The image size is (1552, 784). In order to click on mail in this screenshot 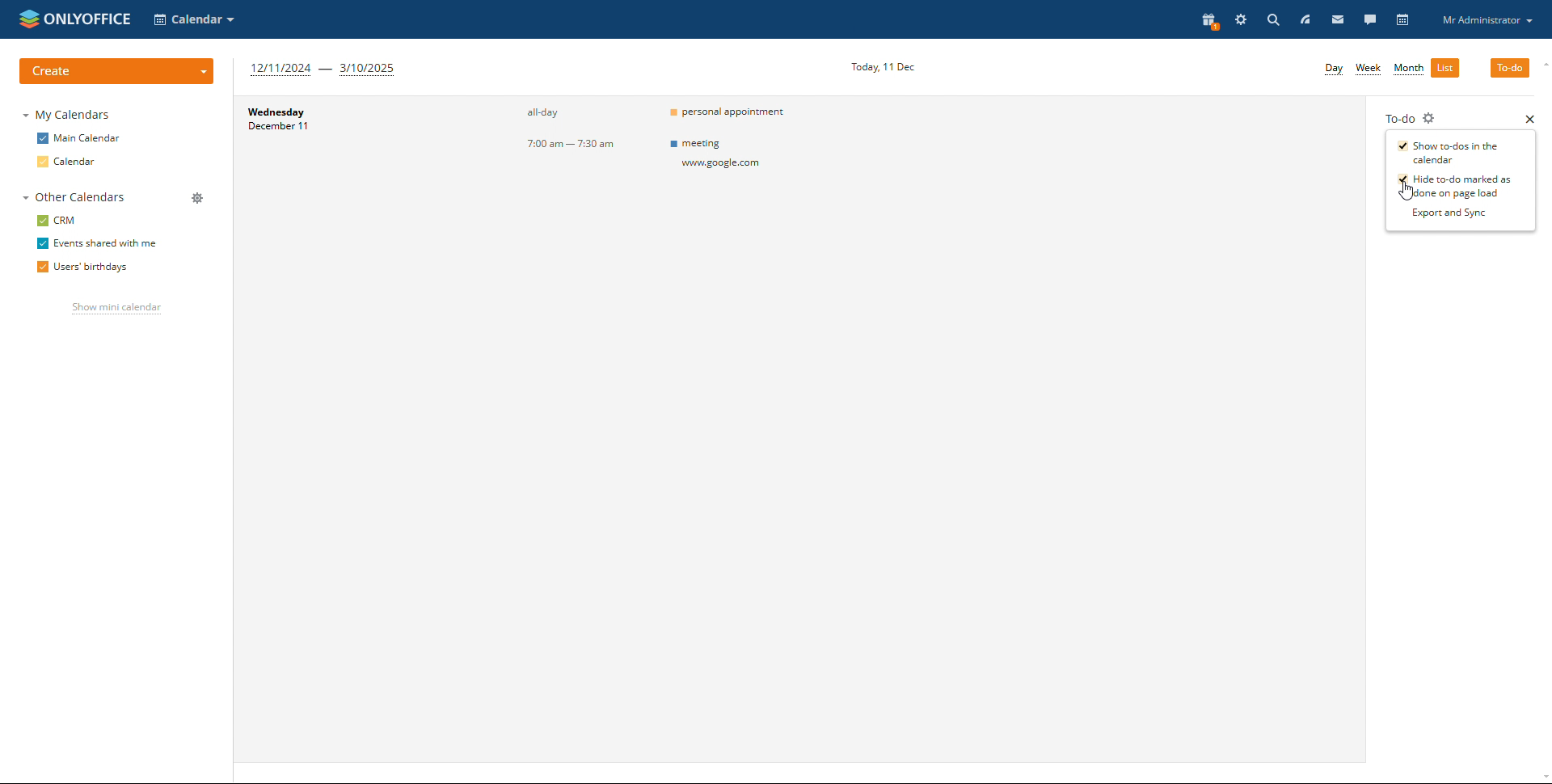, I will do `click(1337, 21)`.